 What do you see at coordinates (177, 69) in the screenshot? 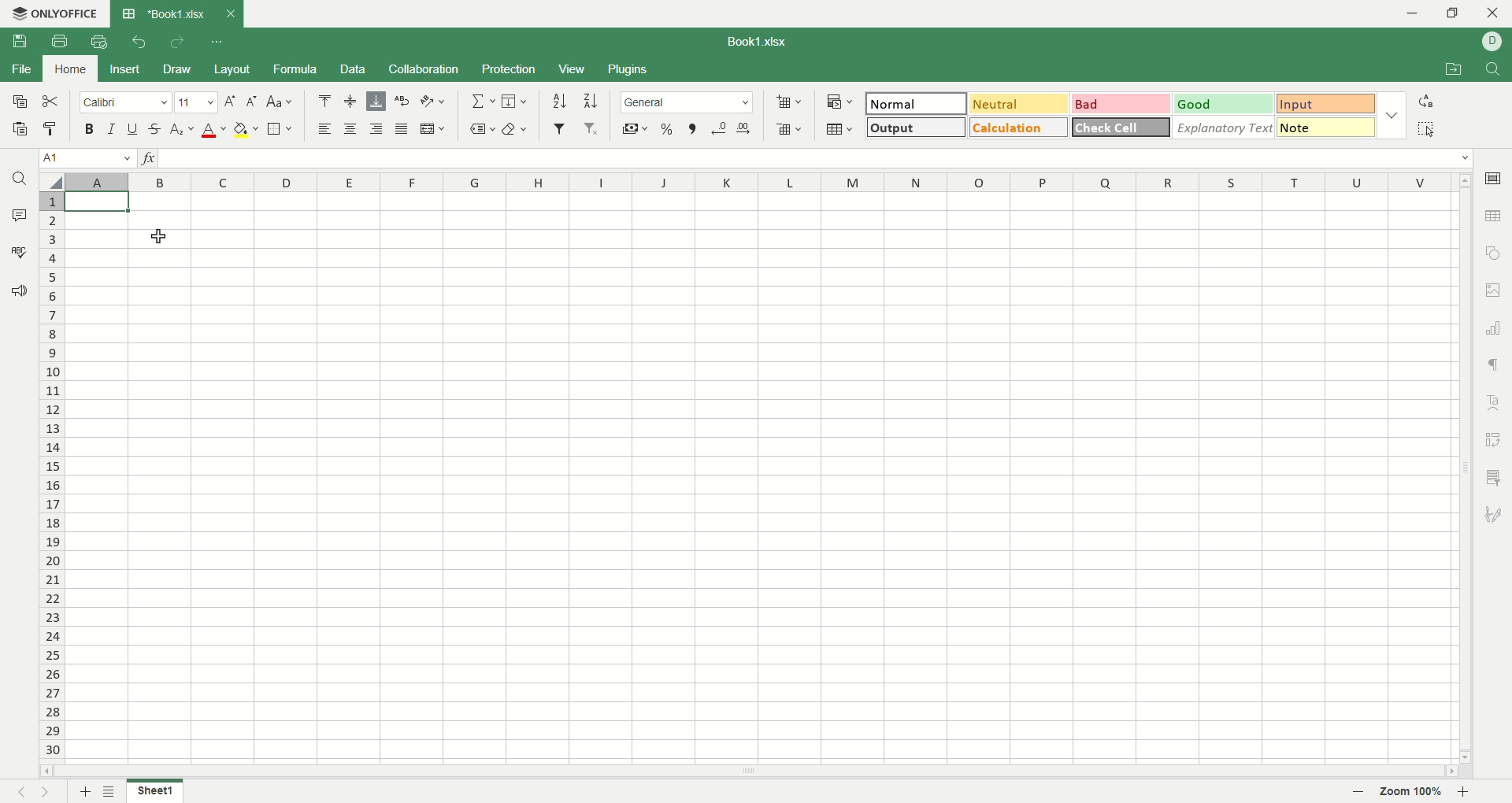
I see `draw` at bounding box center [177, 69].